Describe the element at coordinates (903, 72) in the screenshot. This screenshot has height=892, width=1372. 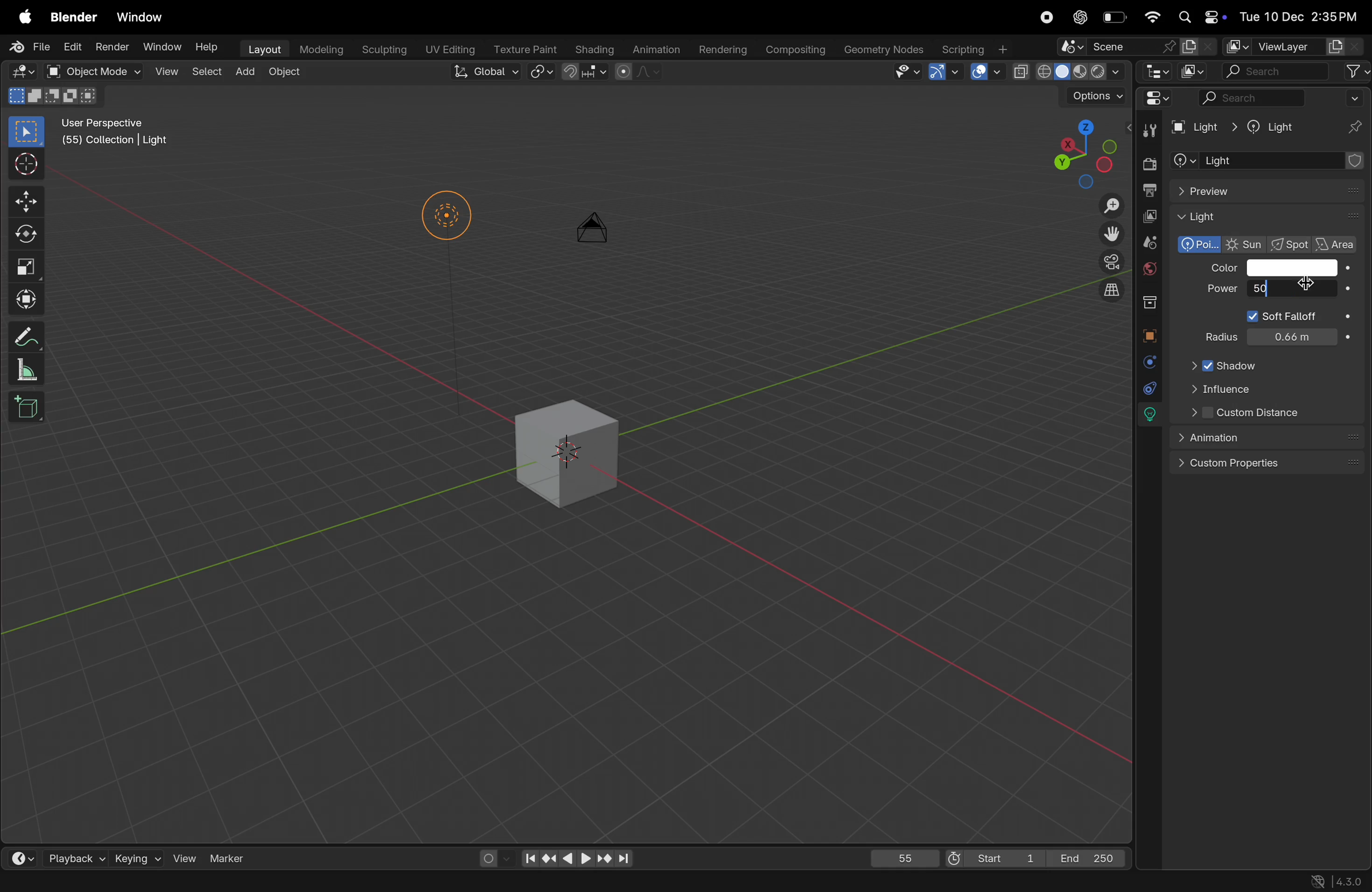
I see `visibility` at that location.